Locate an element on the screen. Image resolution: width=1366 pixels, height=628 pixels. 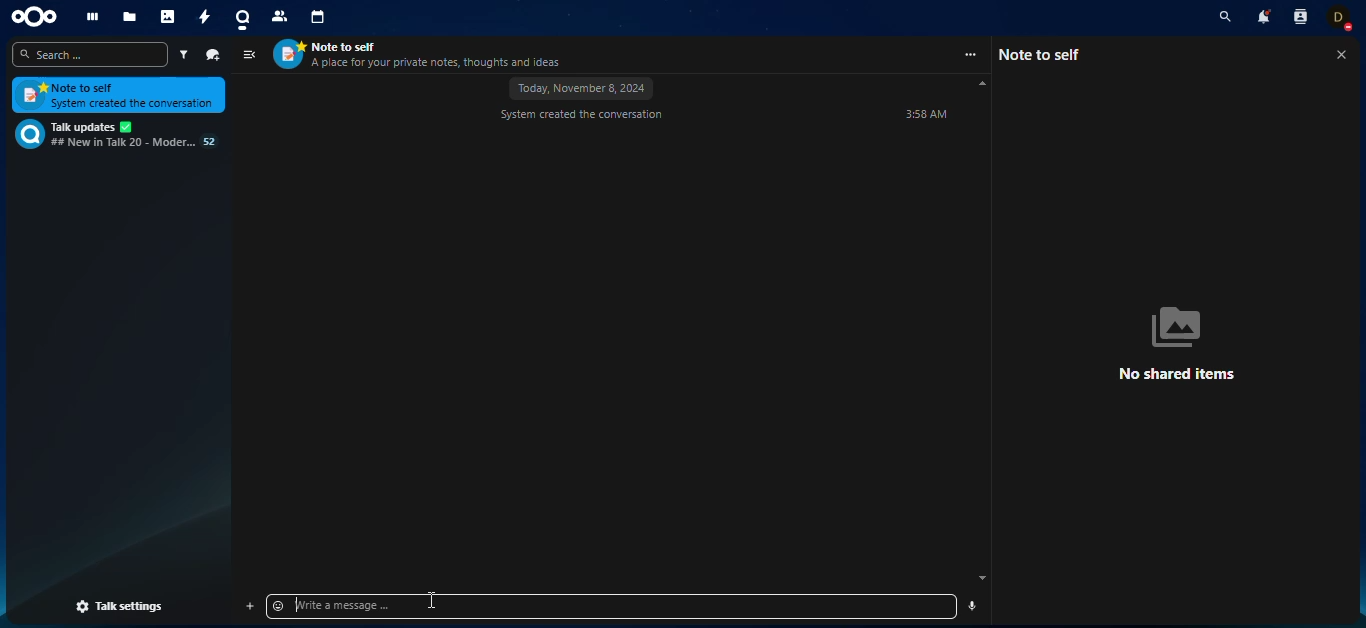
contact is located at coordinates (279, 19).